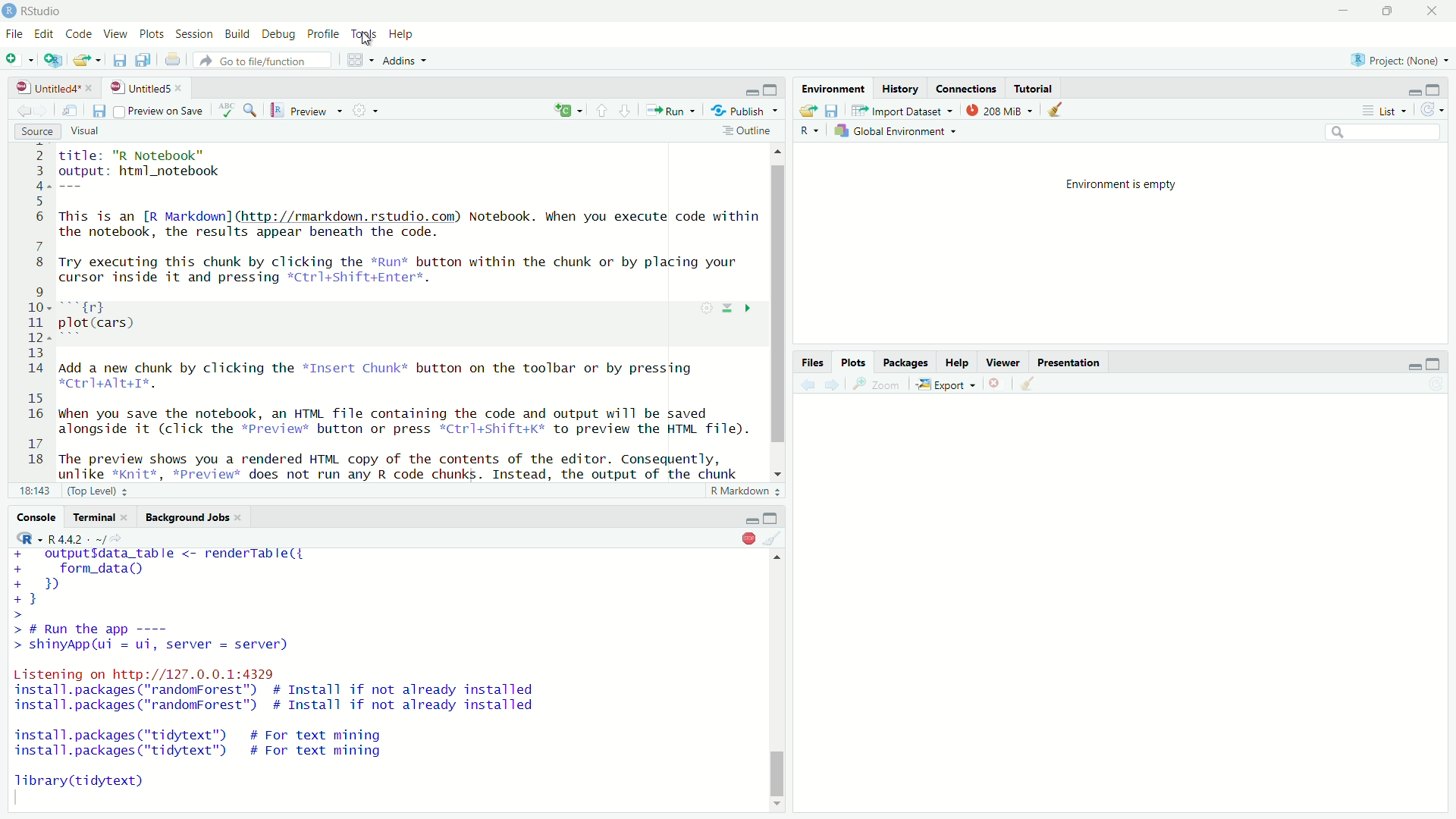 This screenshot has width=1456, height=819. I want to click on Profile, so click(322, 35).